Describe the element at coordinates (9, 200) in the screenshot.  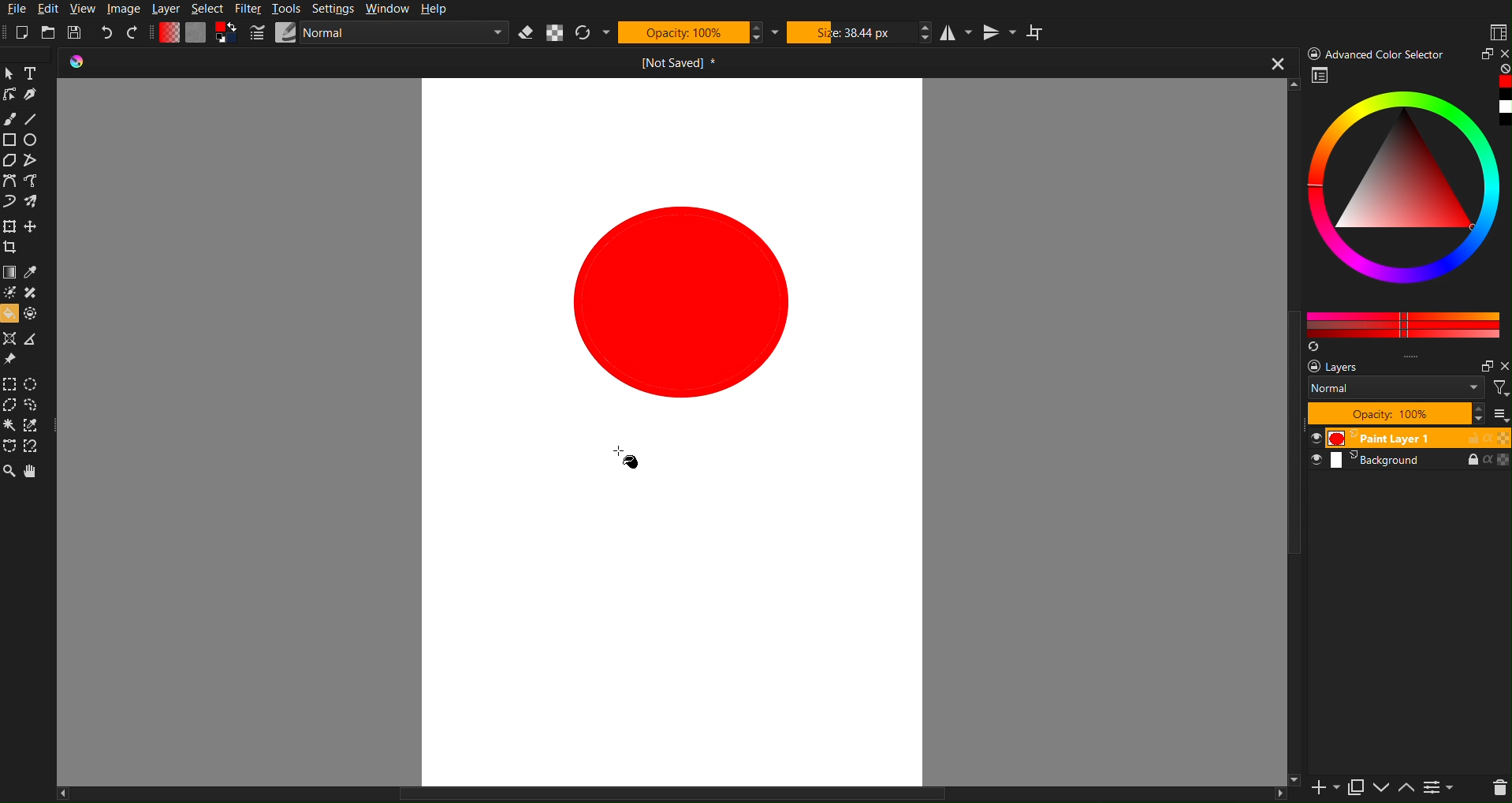
I see `Dynamic Brush` at that location.